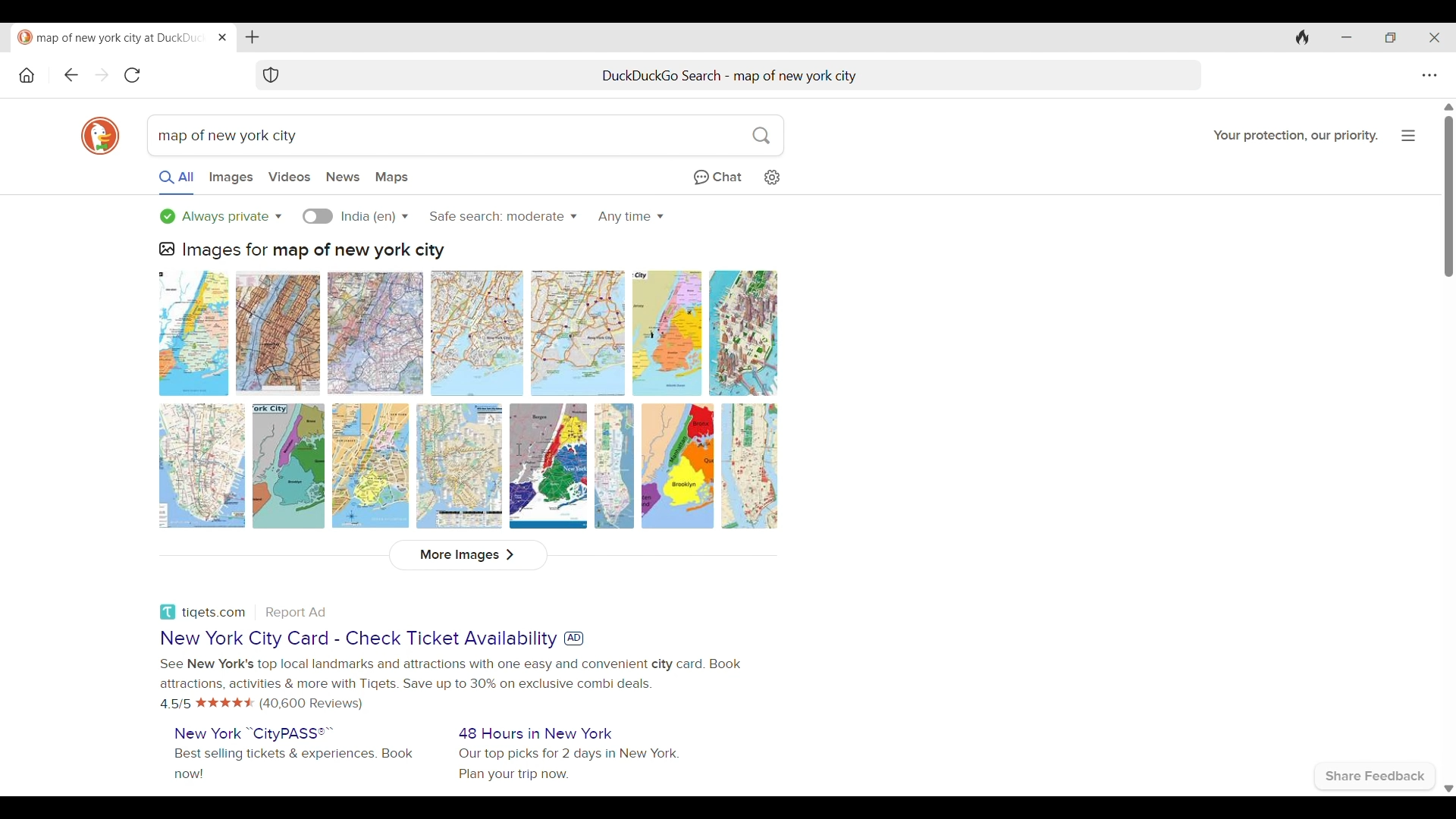  I want to click on Images of NYC map, so click(468, 399).